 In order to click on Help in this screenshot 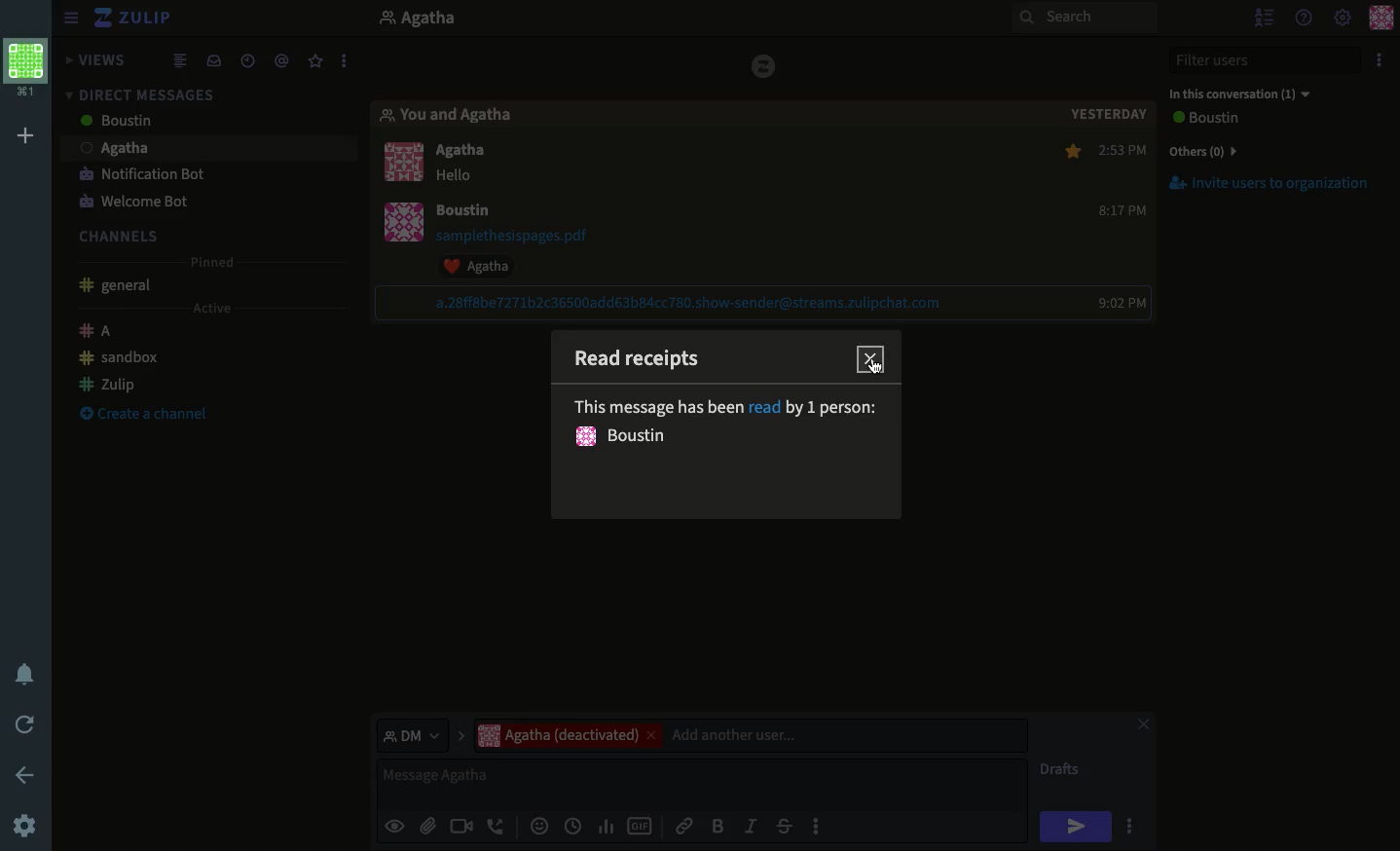, I will do `click(1303, 18)`.